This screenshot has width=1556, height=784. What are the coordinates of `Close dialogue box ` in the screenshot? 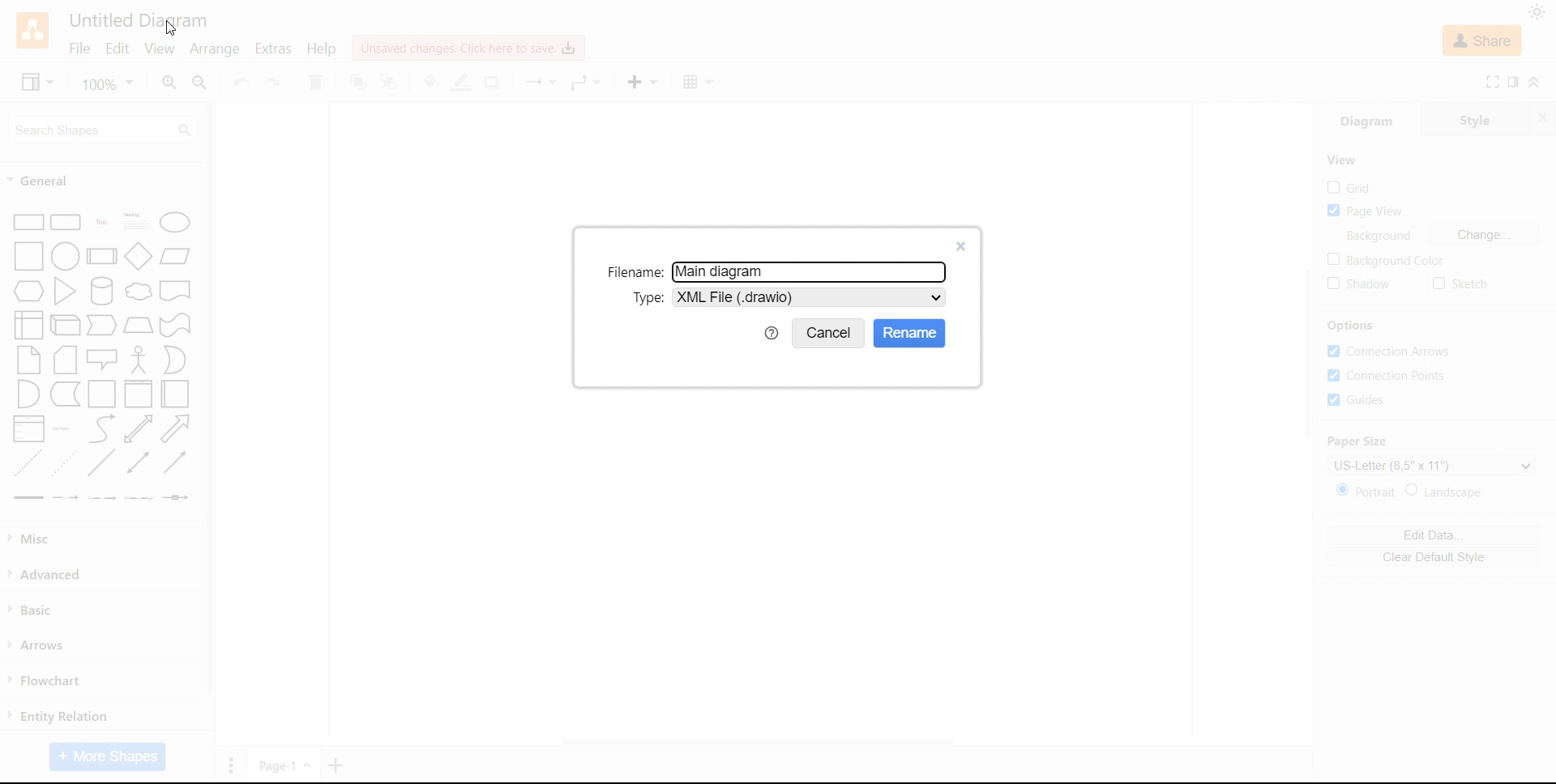 It's located at (962, 247).